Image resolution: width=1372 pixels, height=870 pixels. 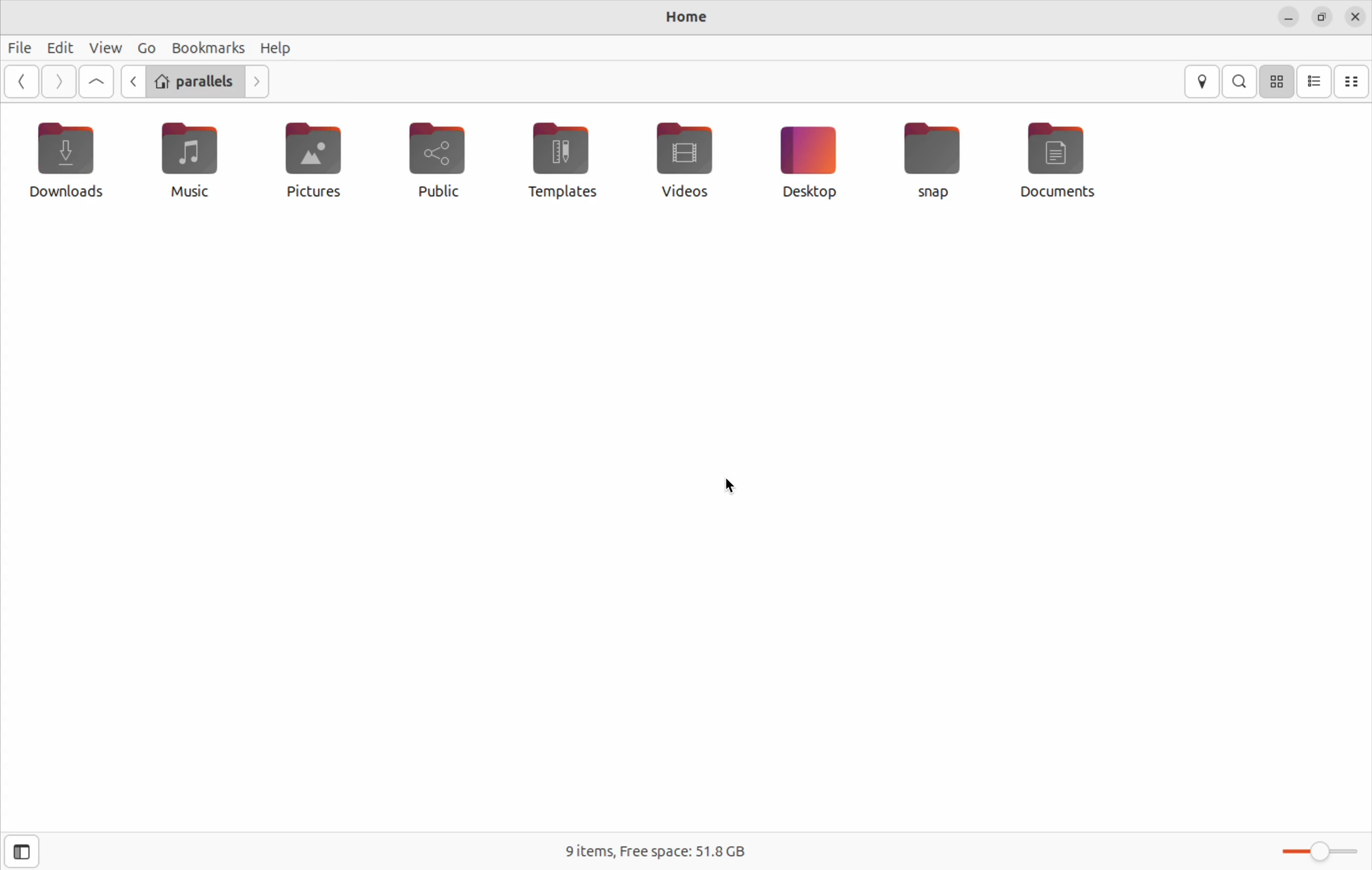 I want to click on Templates, so click(x=556, y=163).